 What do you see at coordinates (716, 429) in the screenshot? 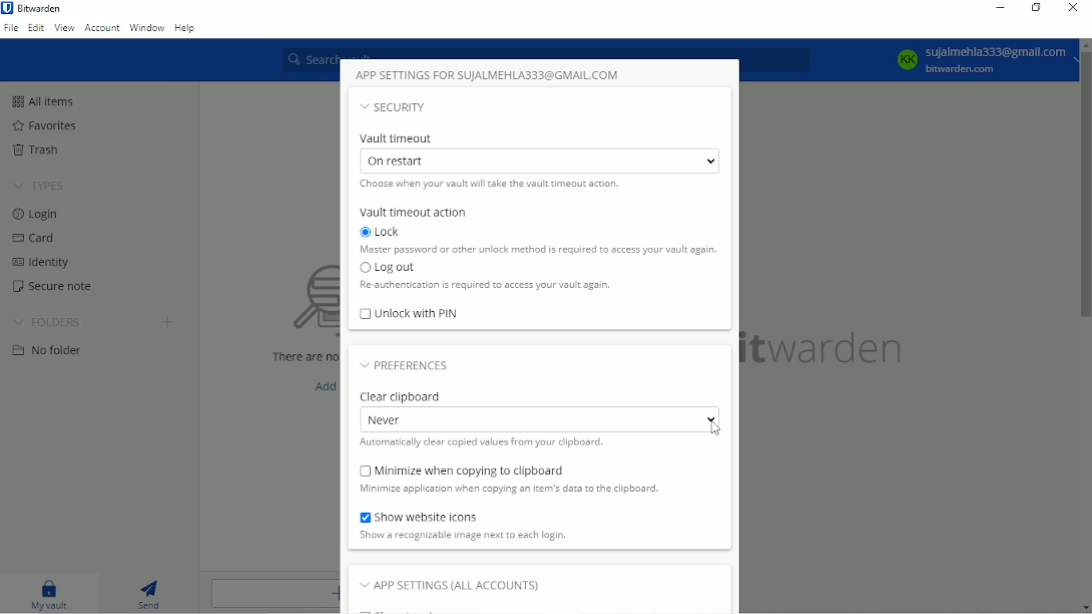
I see `Cursor` at bounding box center [716, 429].